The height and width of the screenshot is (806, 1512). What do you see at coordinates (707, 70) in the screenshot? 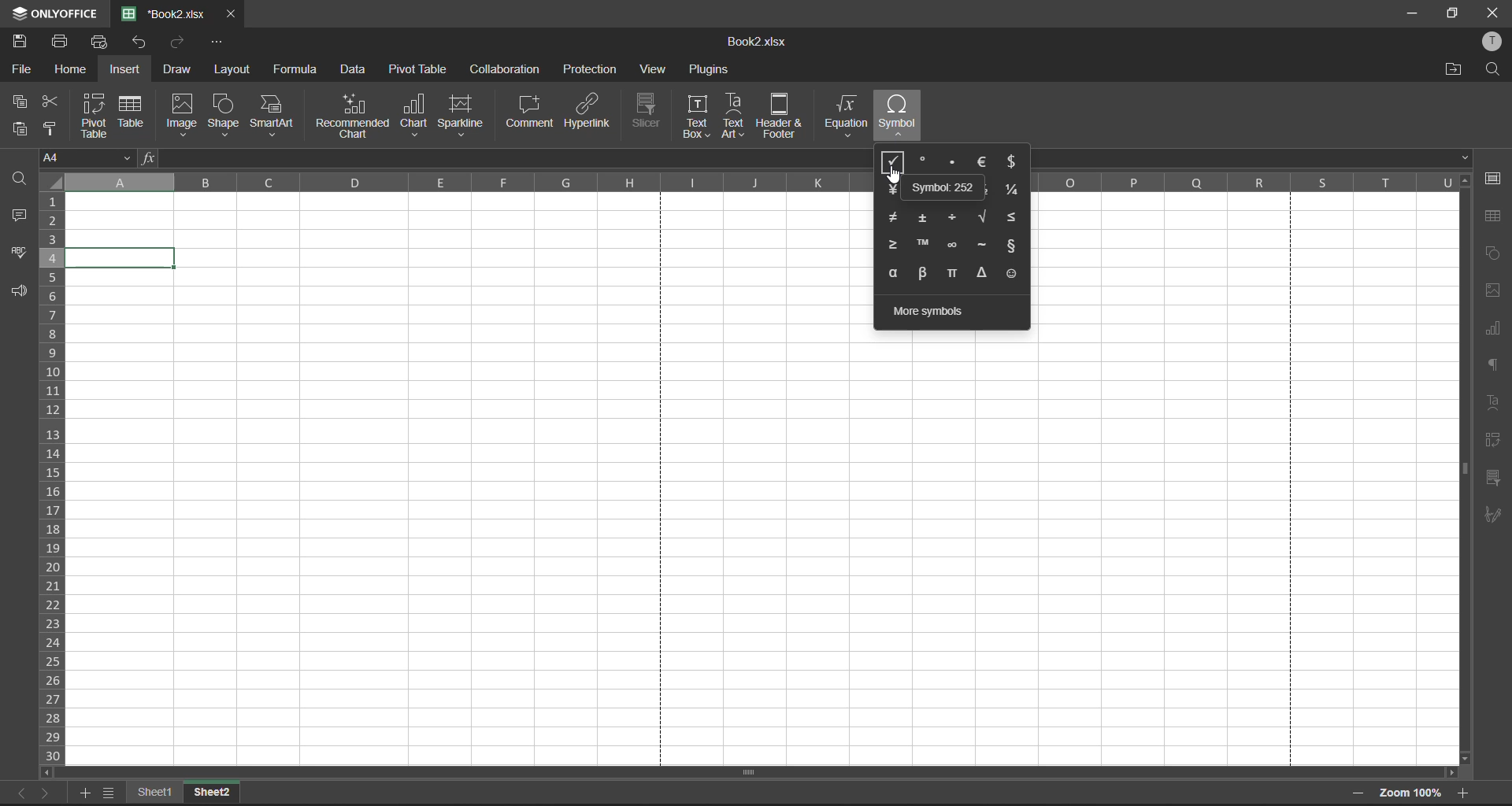
I see `plugins` at bounding box center [707, 70].